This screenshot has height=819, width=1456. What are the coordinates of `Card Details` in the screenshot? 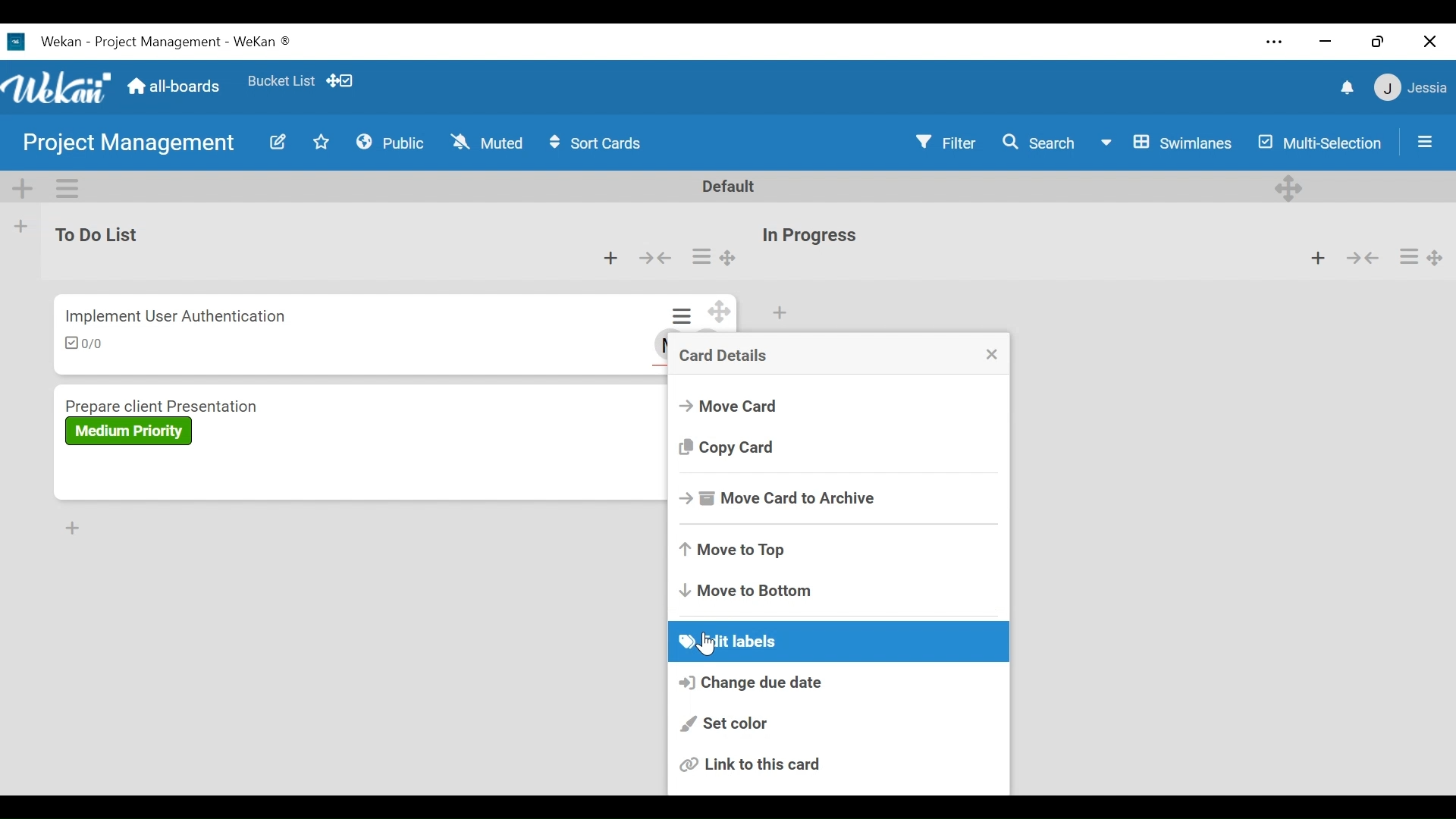 It's located at (726, 357).